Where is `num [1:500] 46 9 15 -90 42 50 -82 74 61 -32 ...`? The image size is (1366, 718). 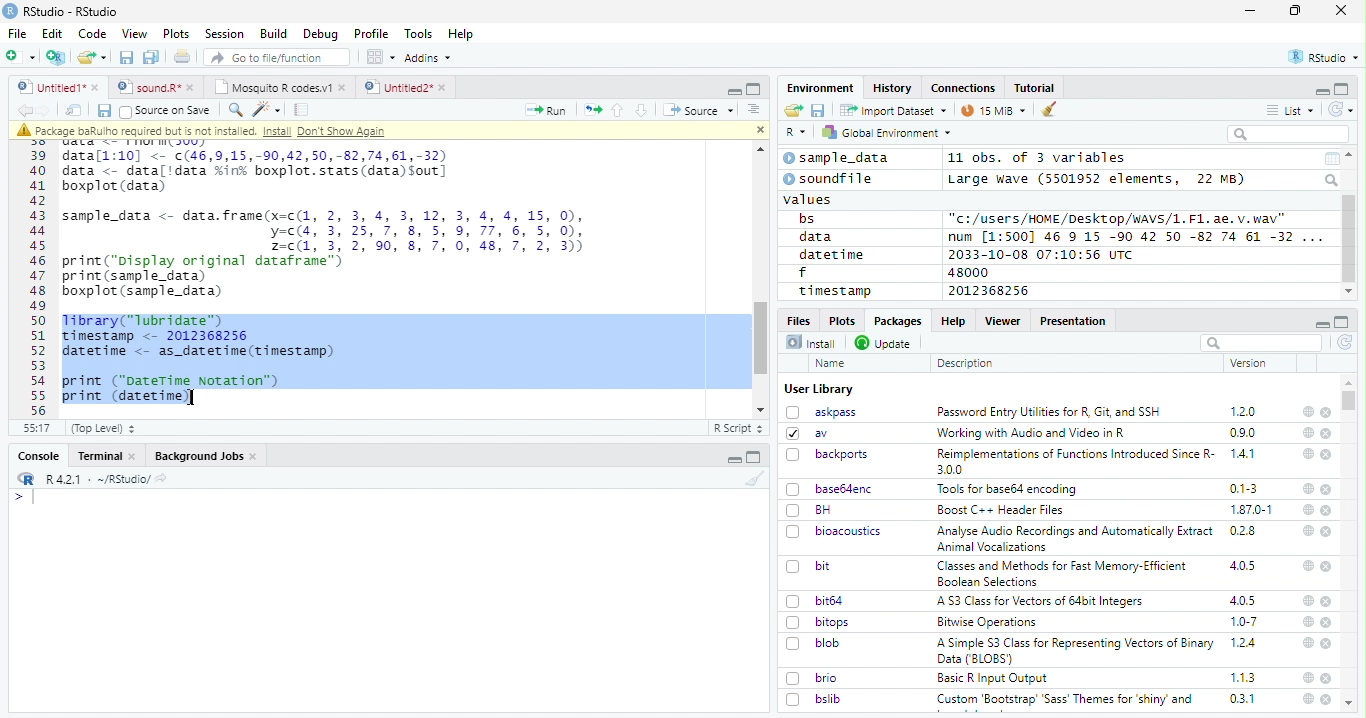
num [1:500] 46 9 15 -90 42 50 -82 74 61 -32 ... is located at coordinates (1135, 236).